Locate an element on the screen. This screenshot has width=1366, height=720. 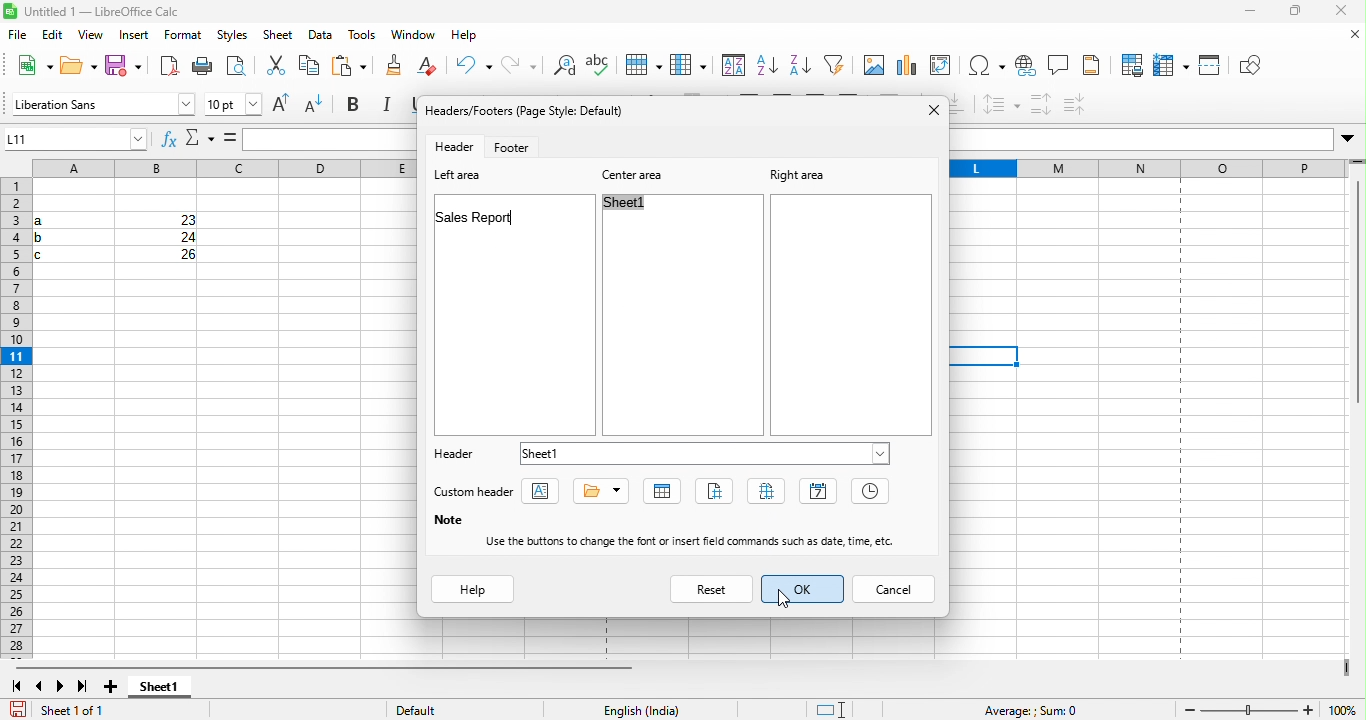
text attribute is located at coordinates (547, 494).